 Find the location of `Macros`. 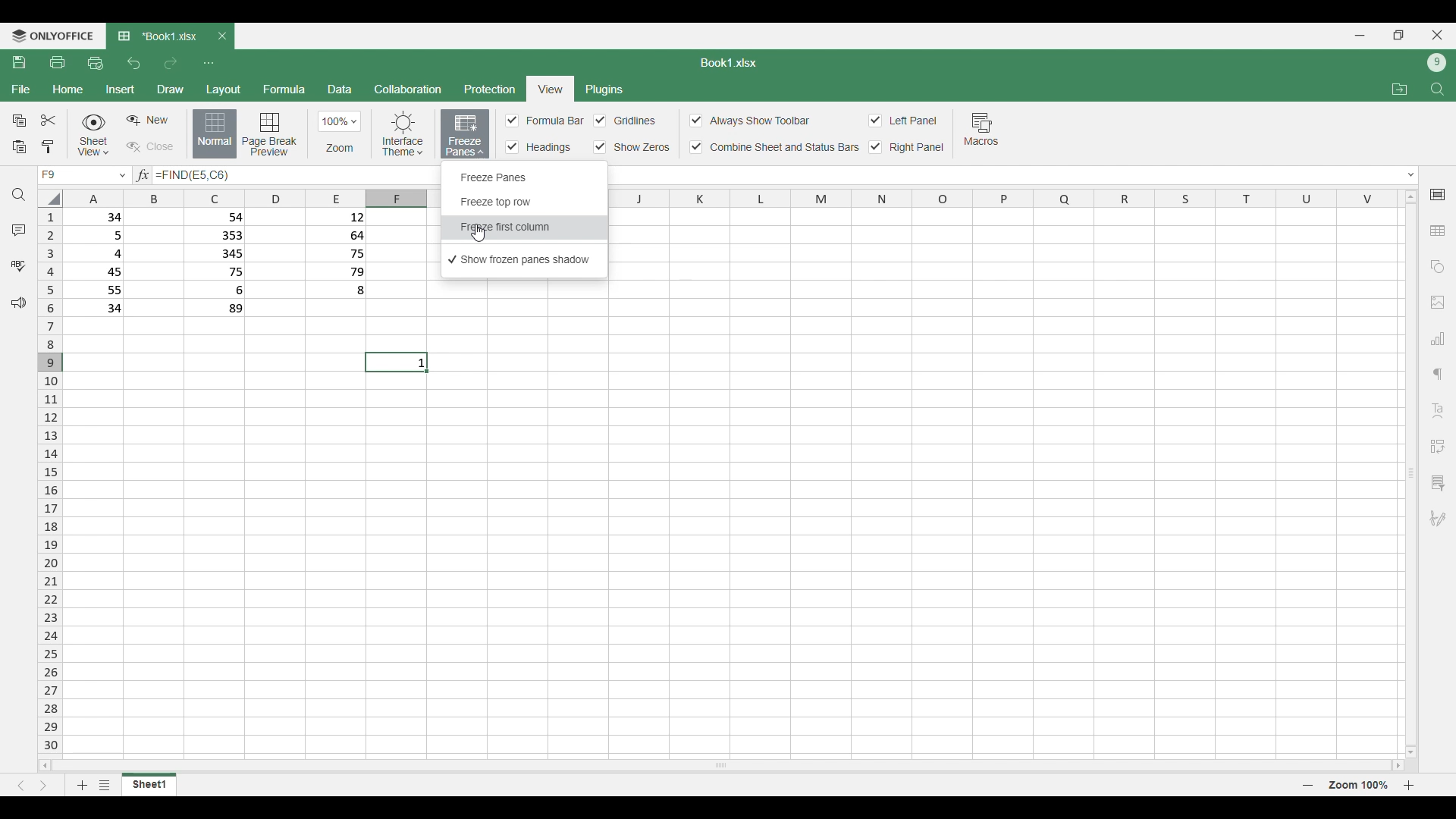

Macros is located at coordinates (981, 132).